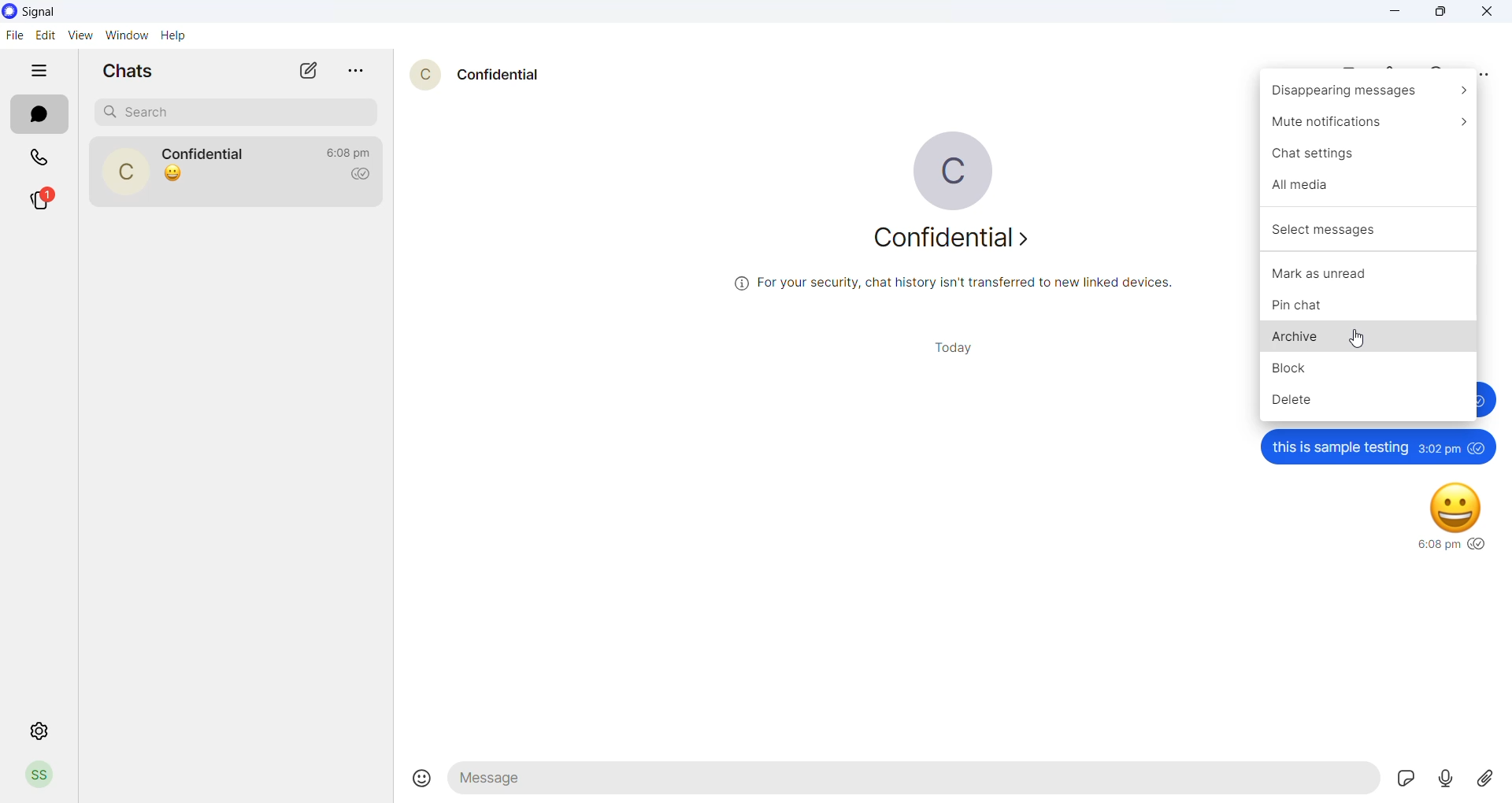 This screenshot has height=803, width=1512. What do you see at coordinates (45, 33) in the screenshot?
I see `edit` at bounding box center [45, 33].